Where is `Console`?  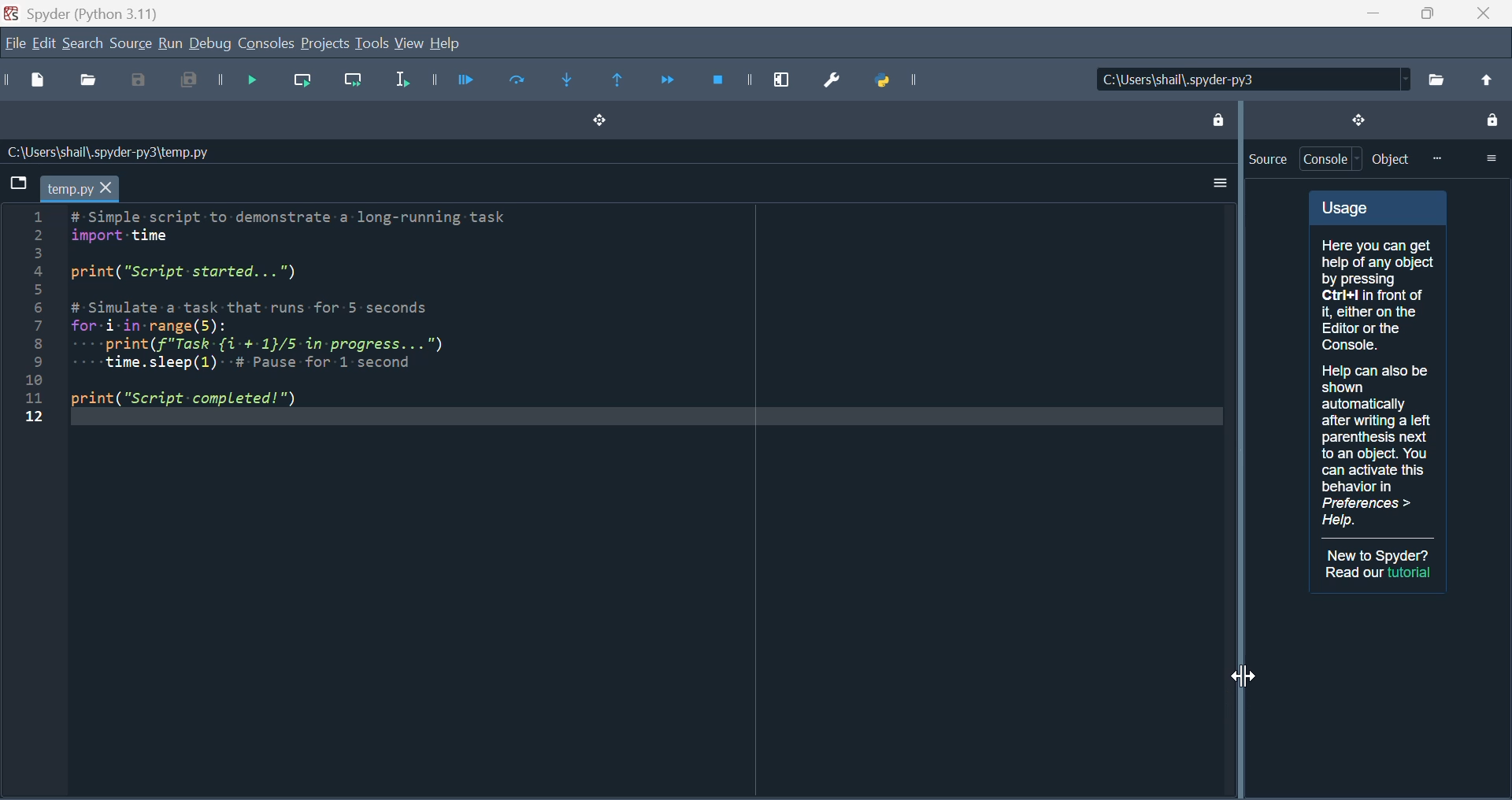
Console is located at coordinates (267, 44).